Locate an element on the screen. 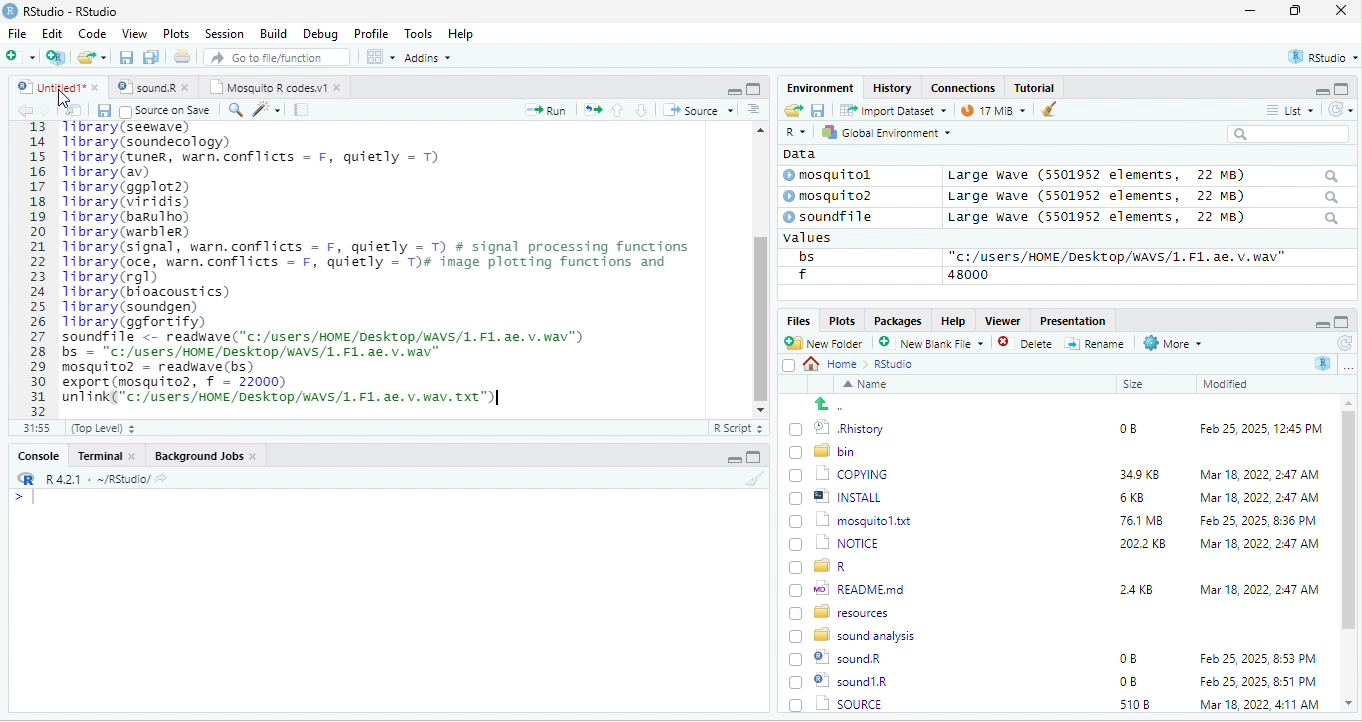 This screenshot has width=1362, height=722. note is located at coordinates (302, 109).